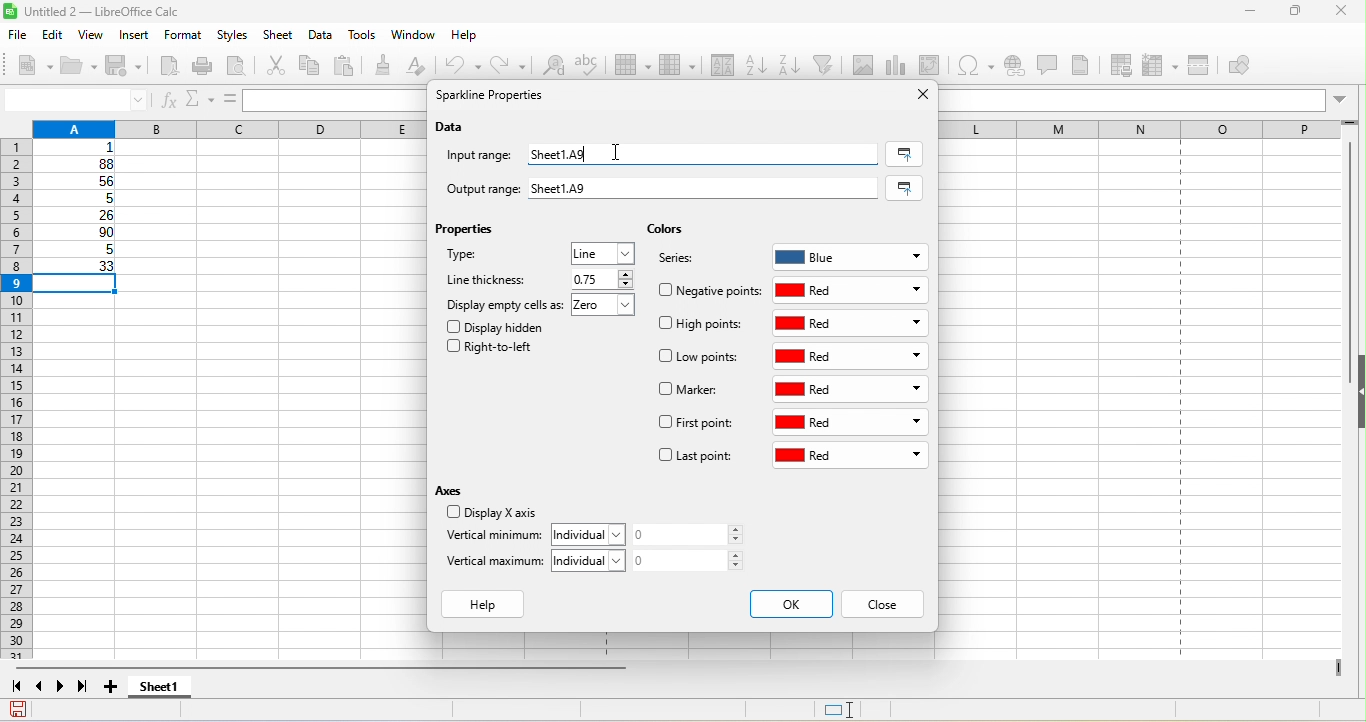 The width and height of the screenshot is (1366, 722). Describe the element at coordinates (327, 670) in the screenshot. I see `horizontal scroll bar` at that location.